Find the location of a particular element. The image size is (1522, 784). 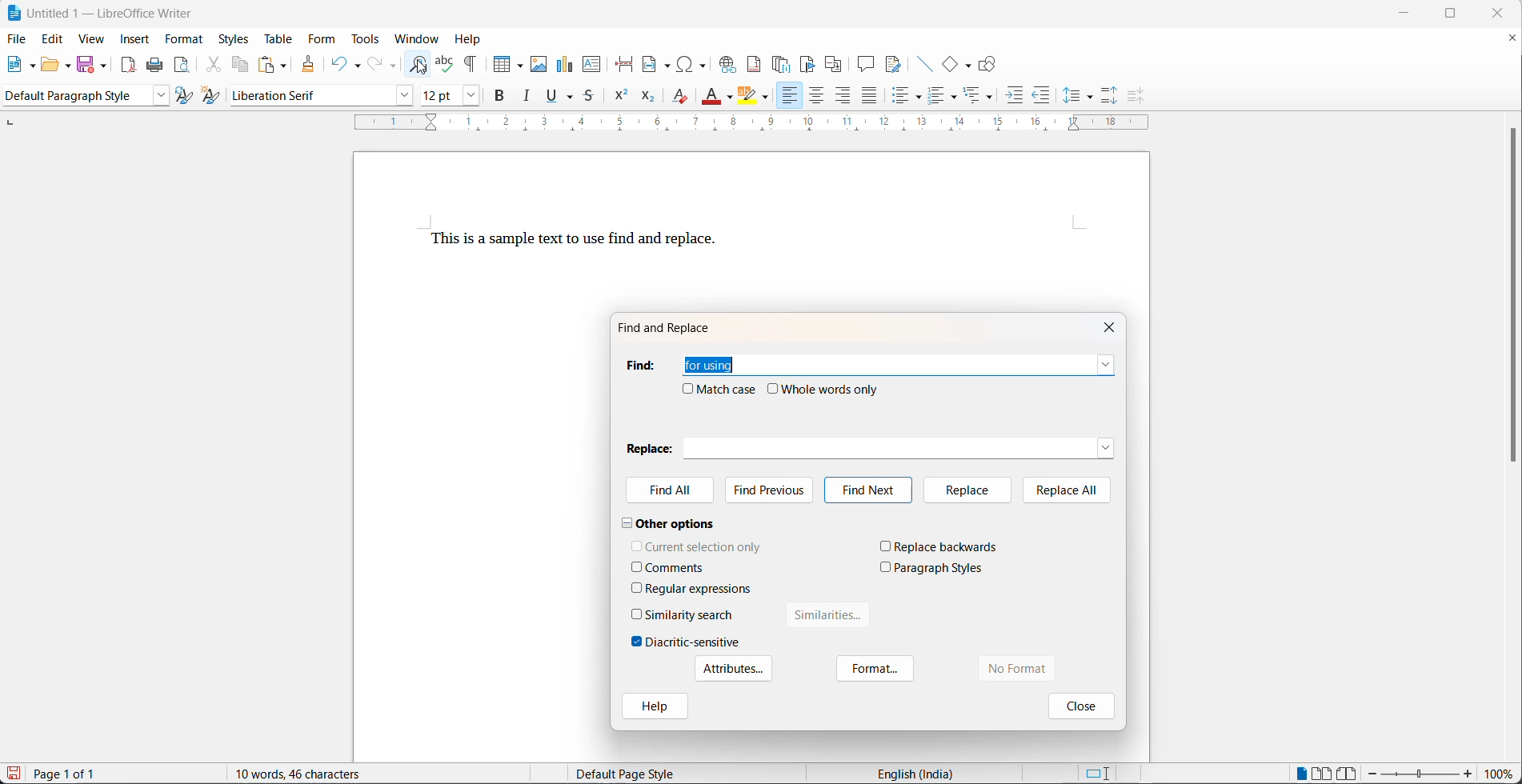

new file is located at coordinates (17, 68).